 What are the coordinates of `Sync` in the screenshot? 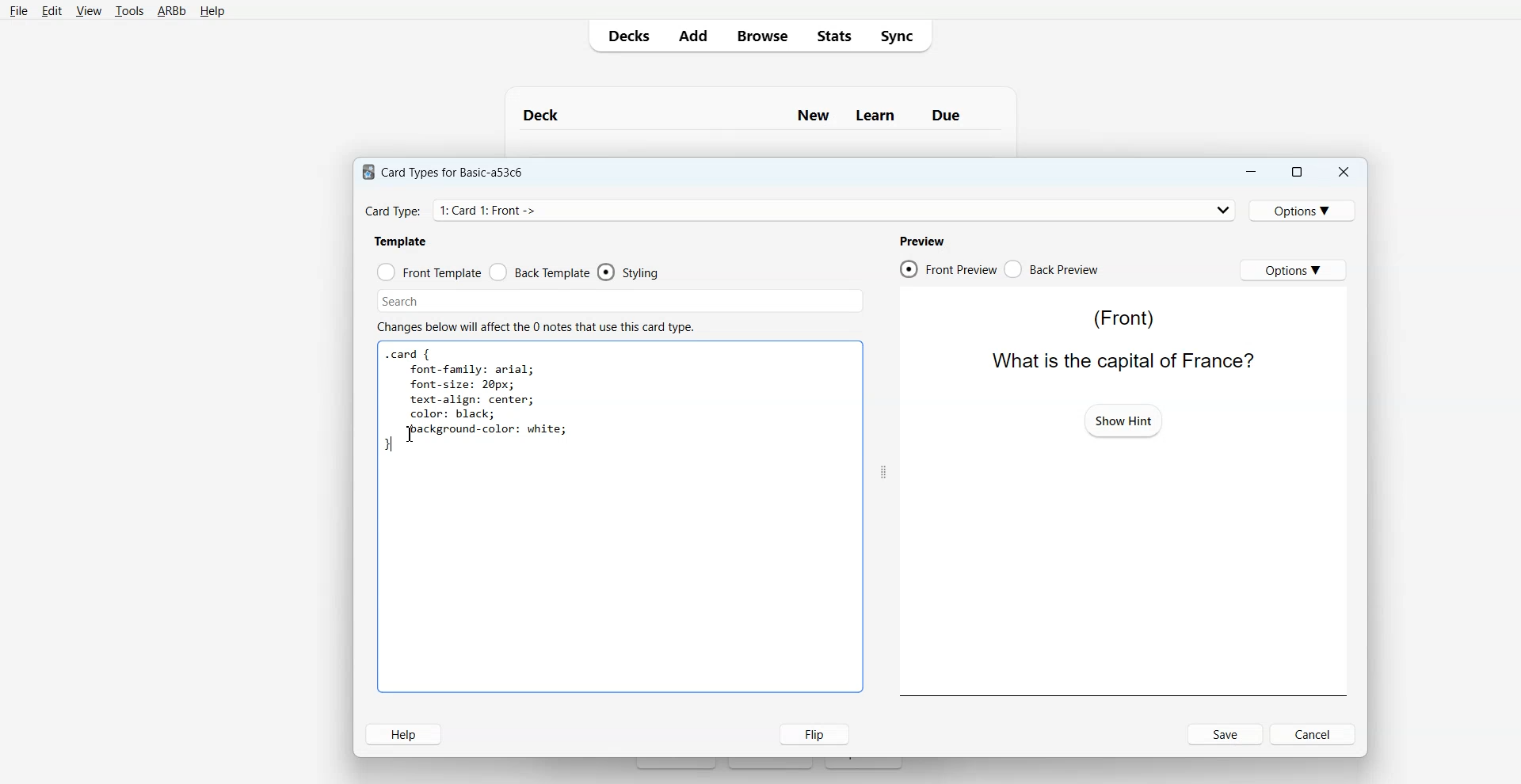 It's located at (902, 35).